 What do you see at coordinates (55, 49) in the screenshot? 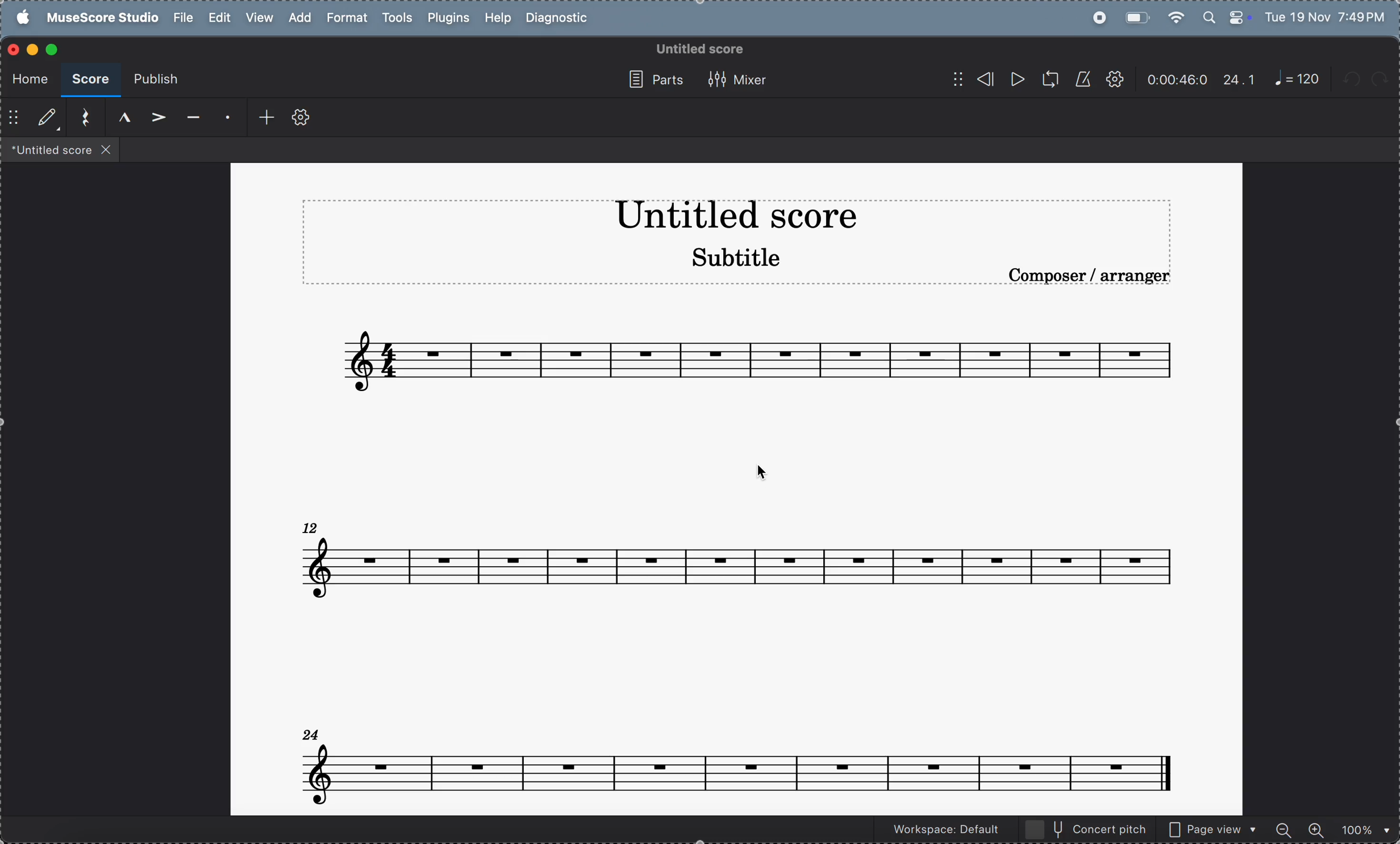
I see `maximize` at bounding box center [55, 49].